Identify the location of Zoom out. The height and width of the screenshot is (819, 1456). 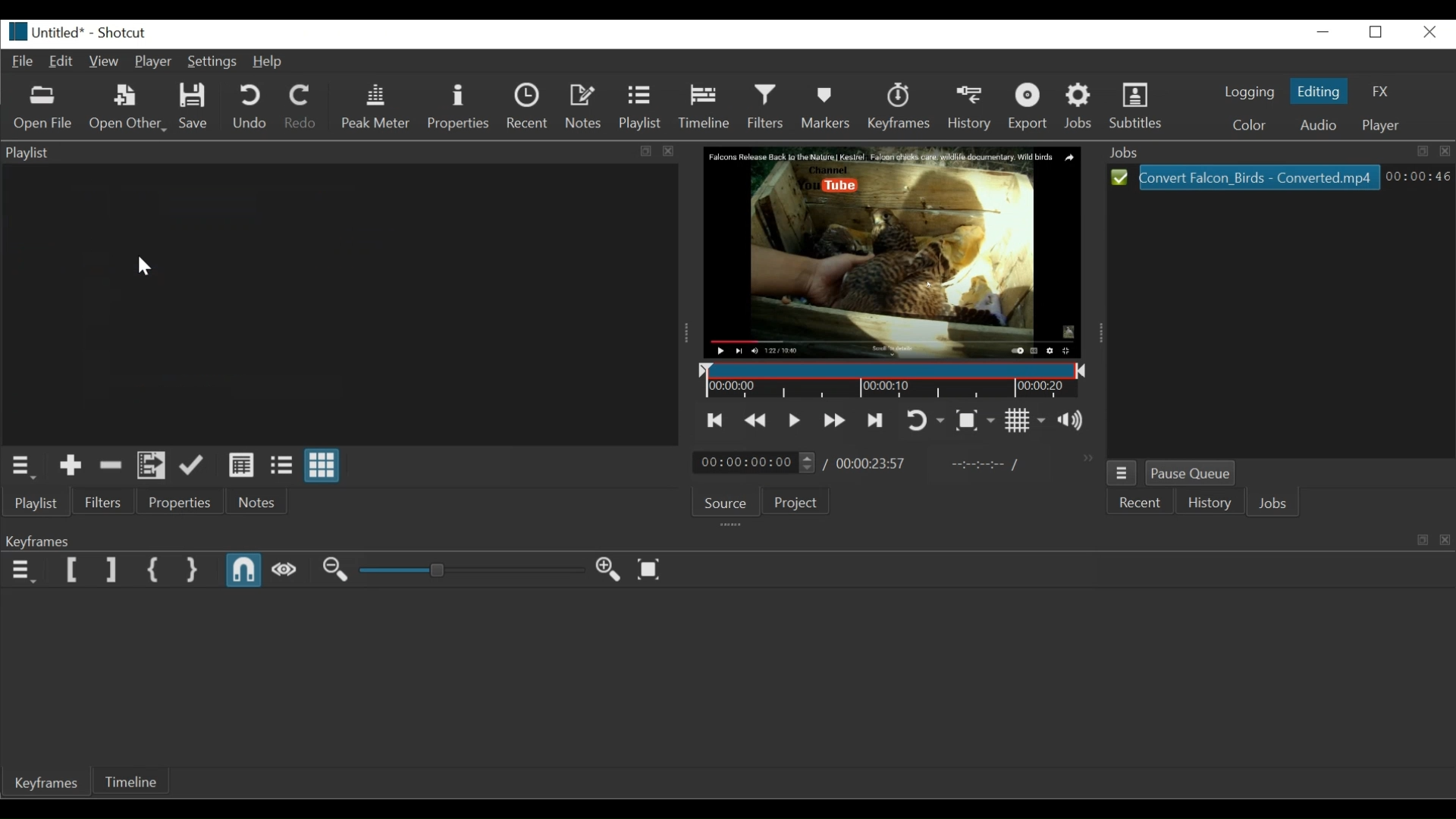
(335, 570).